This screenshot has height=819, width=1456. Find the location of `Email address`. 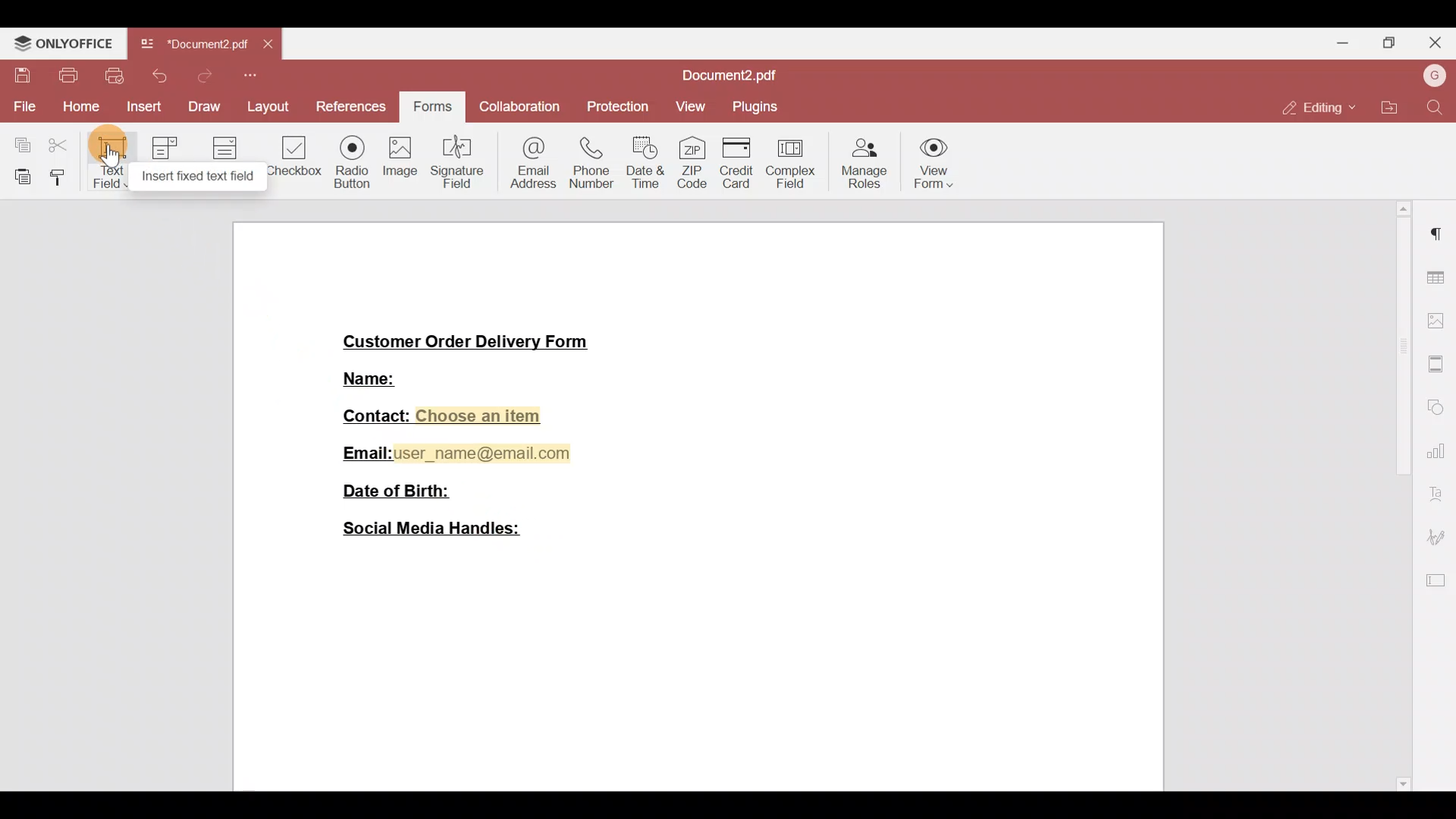

Email address is located at coordinates (527, 165).